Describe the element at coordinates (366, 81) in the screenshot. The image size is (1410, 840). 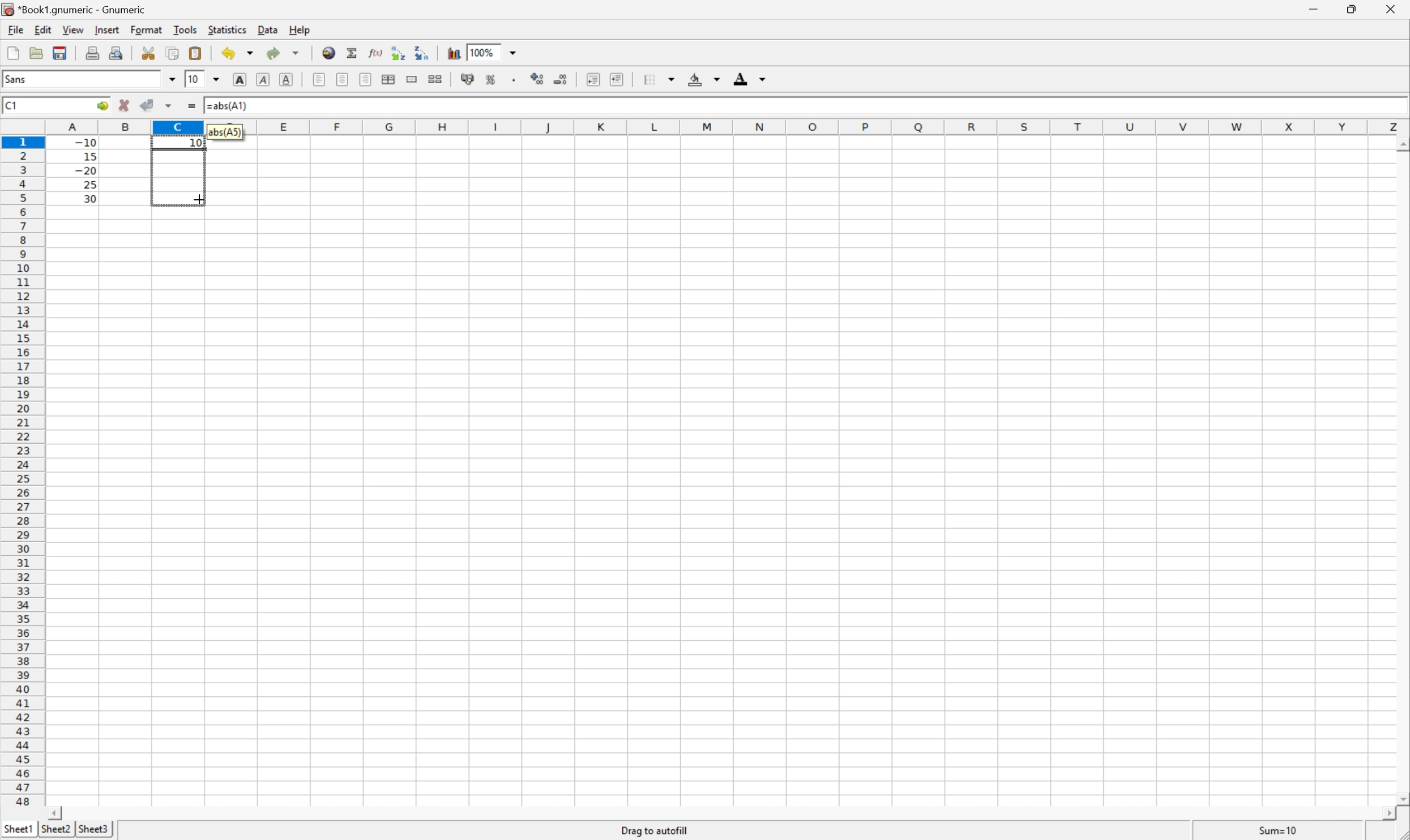
I see `align right` at that location.